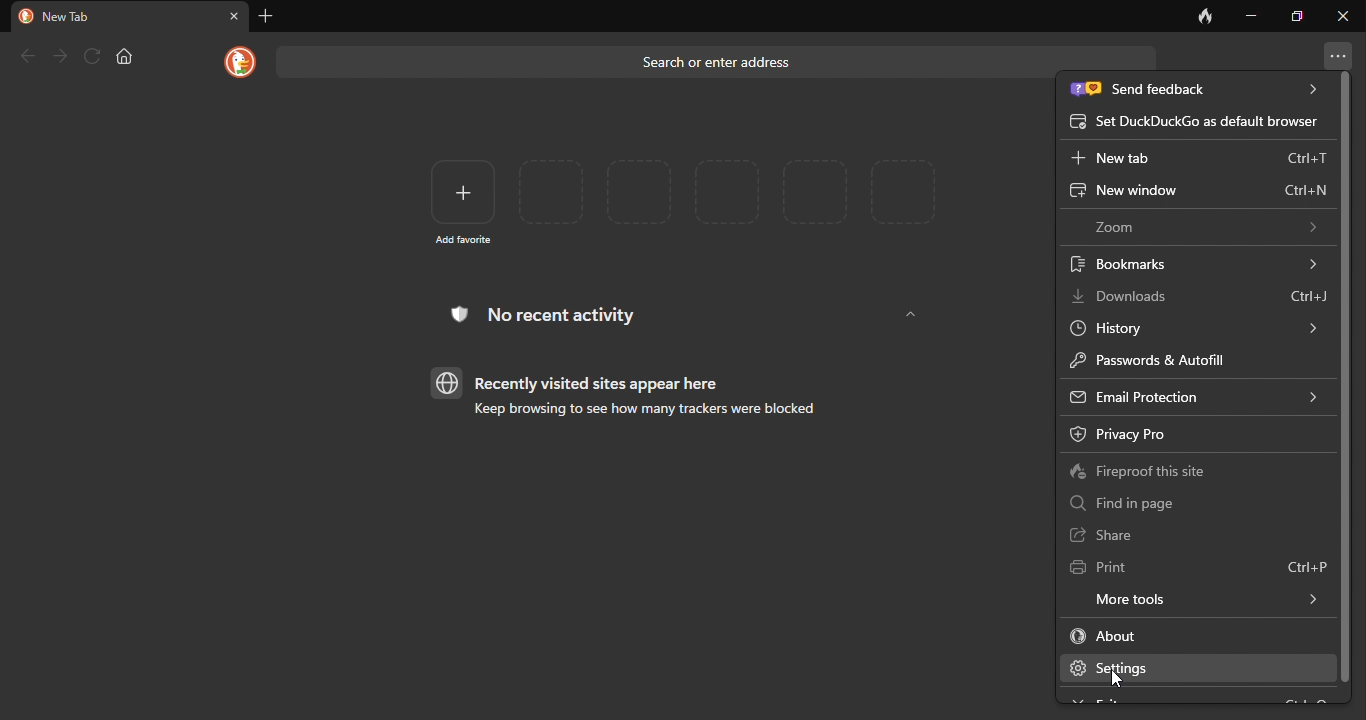  Describe the element at coordinates (58, 53) in the screenshot. I see `forward` at that location.